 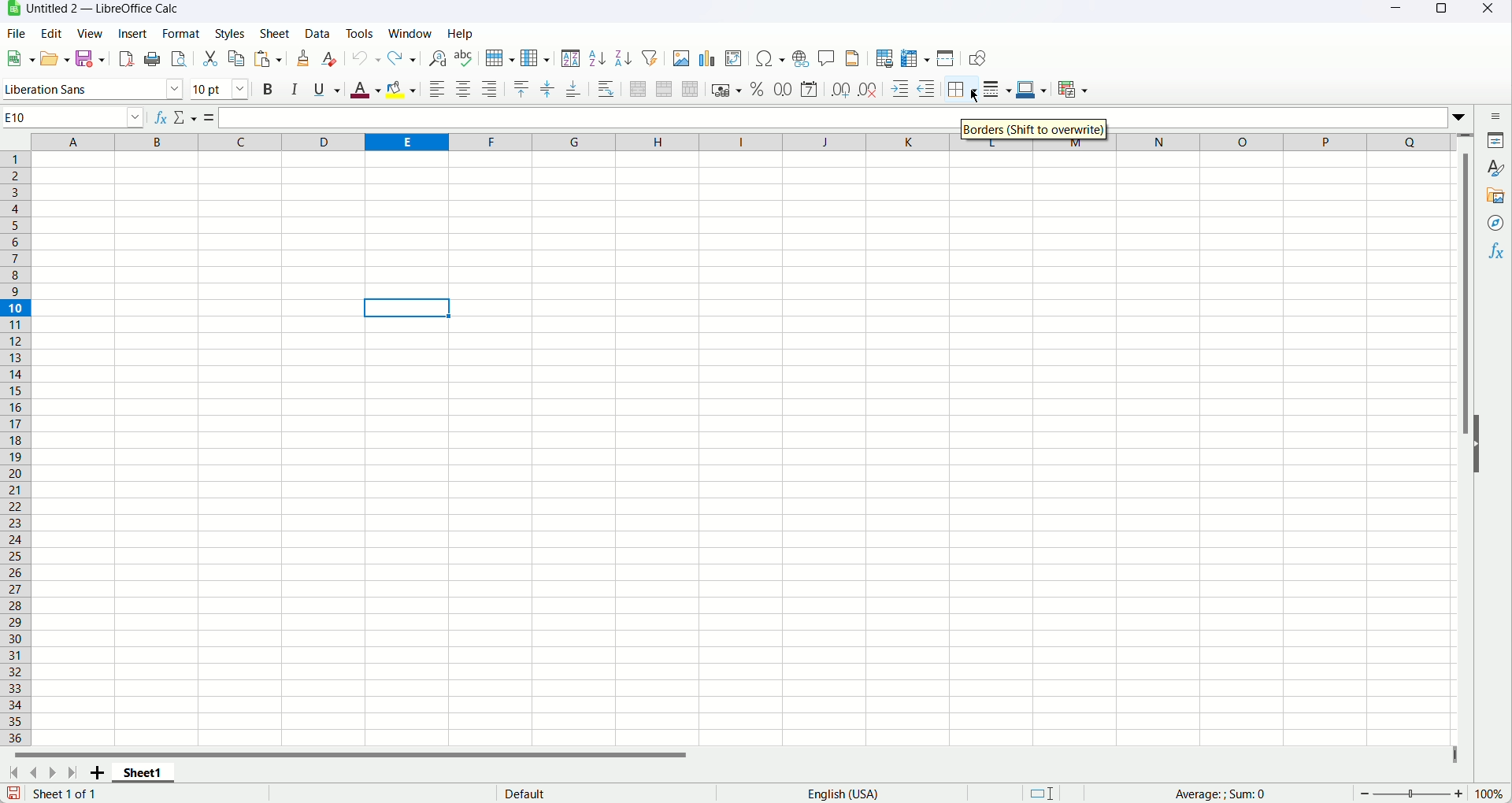 What do you see at coordinates (867, 90) in the screenshot?
I see `remove decimal place` at bounding box center [867, 90].